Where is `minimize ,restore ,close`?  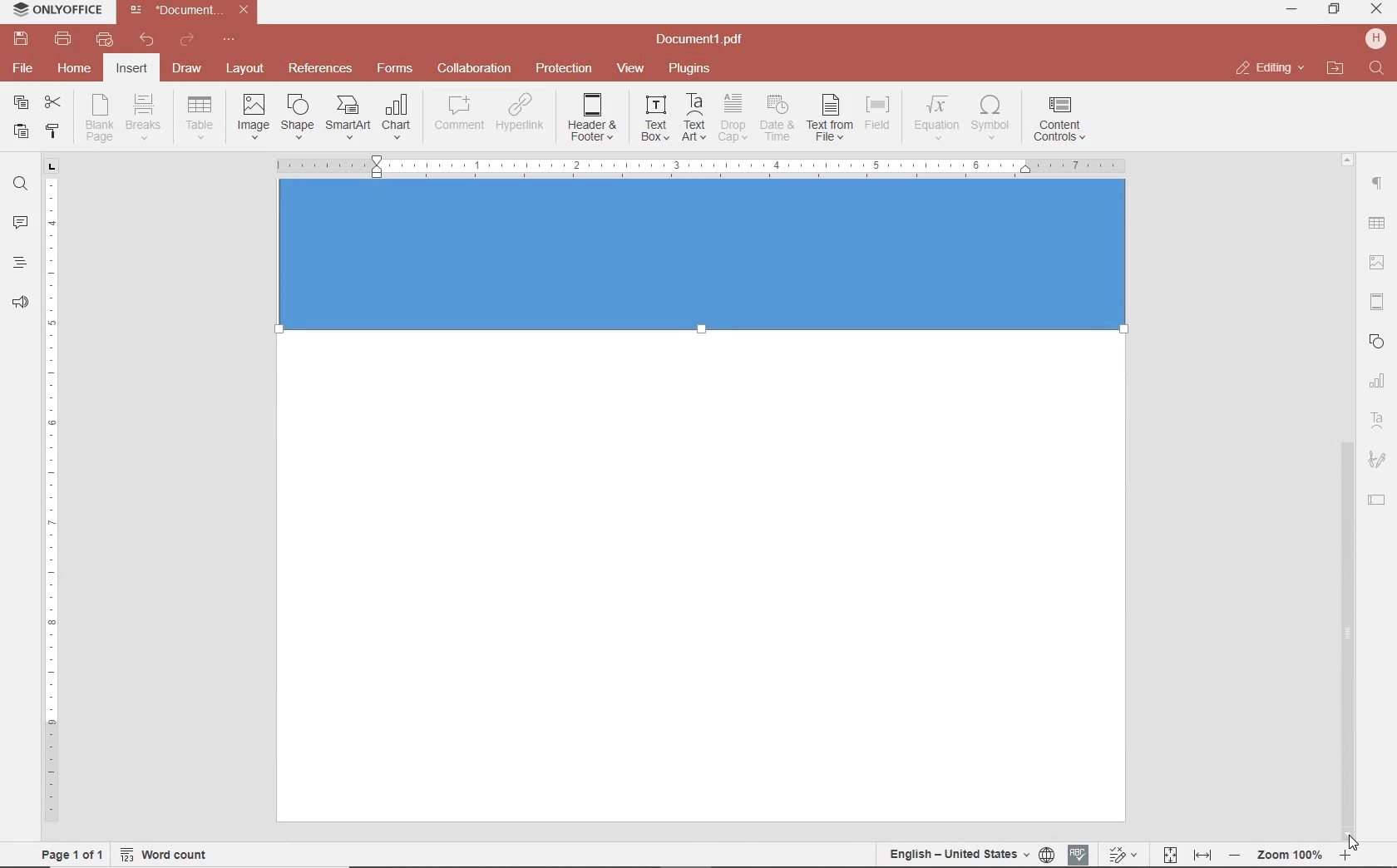 minimize ,restore ,close is located at coordinates (1380, 10).